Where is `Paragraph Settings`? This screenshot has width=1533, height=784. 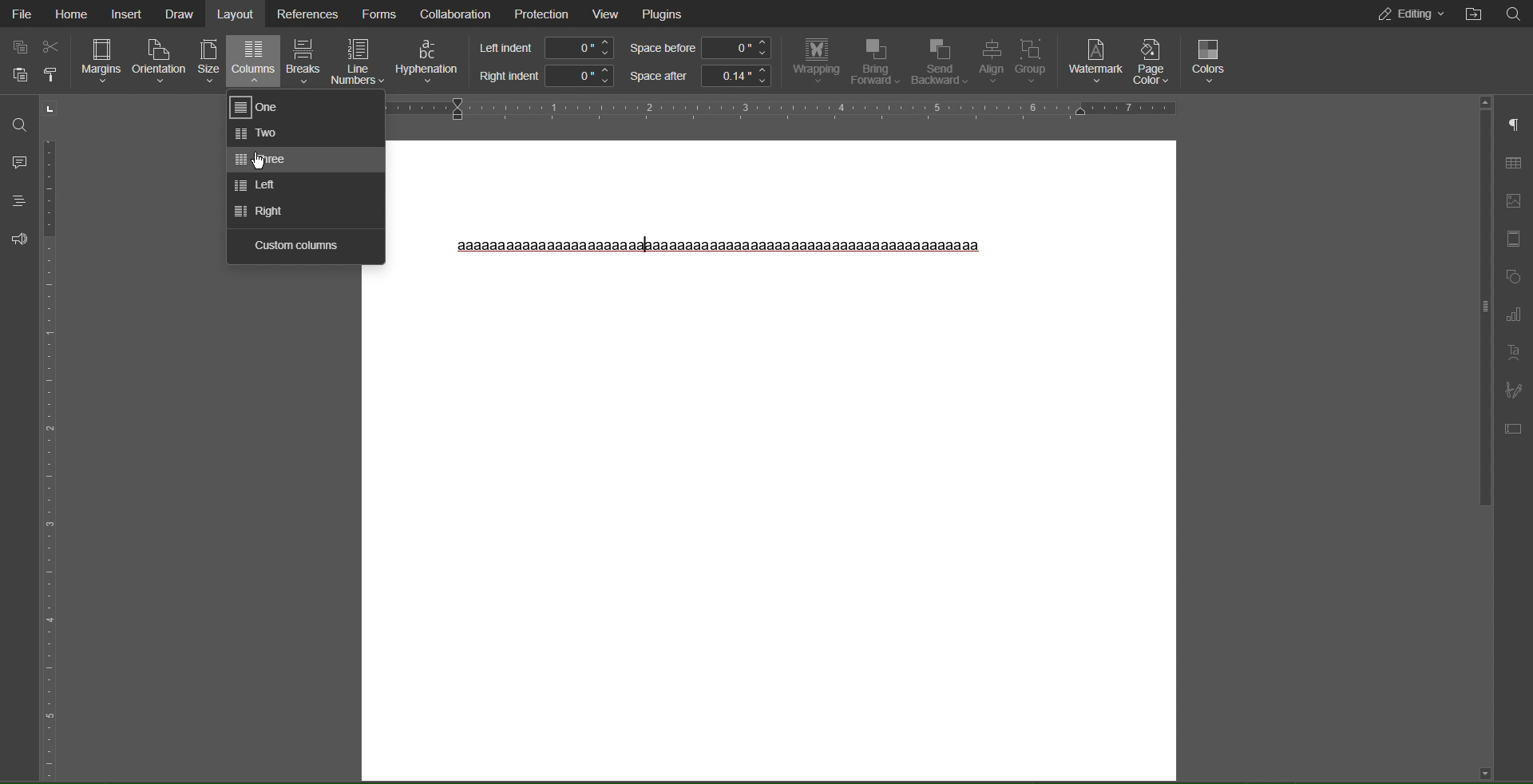 Paragraph Settings is located at coordinates (1514, 126).